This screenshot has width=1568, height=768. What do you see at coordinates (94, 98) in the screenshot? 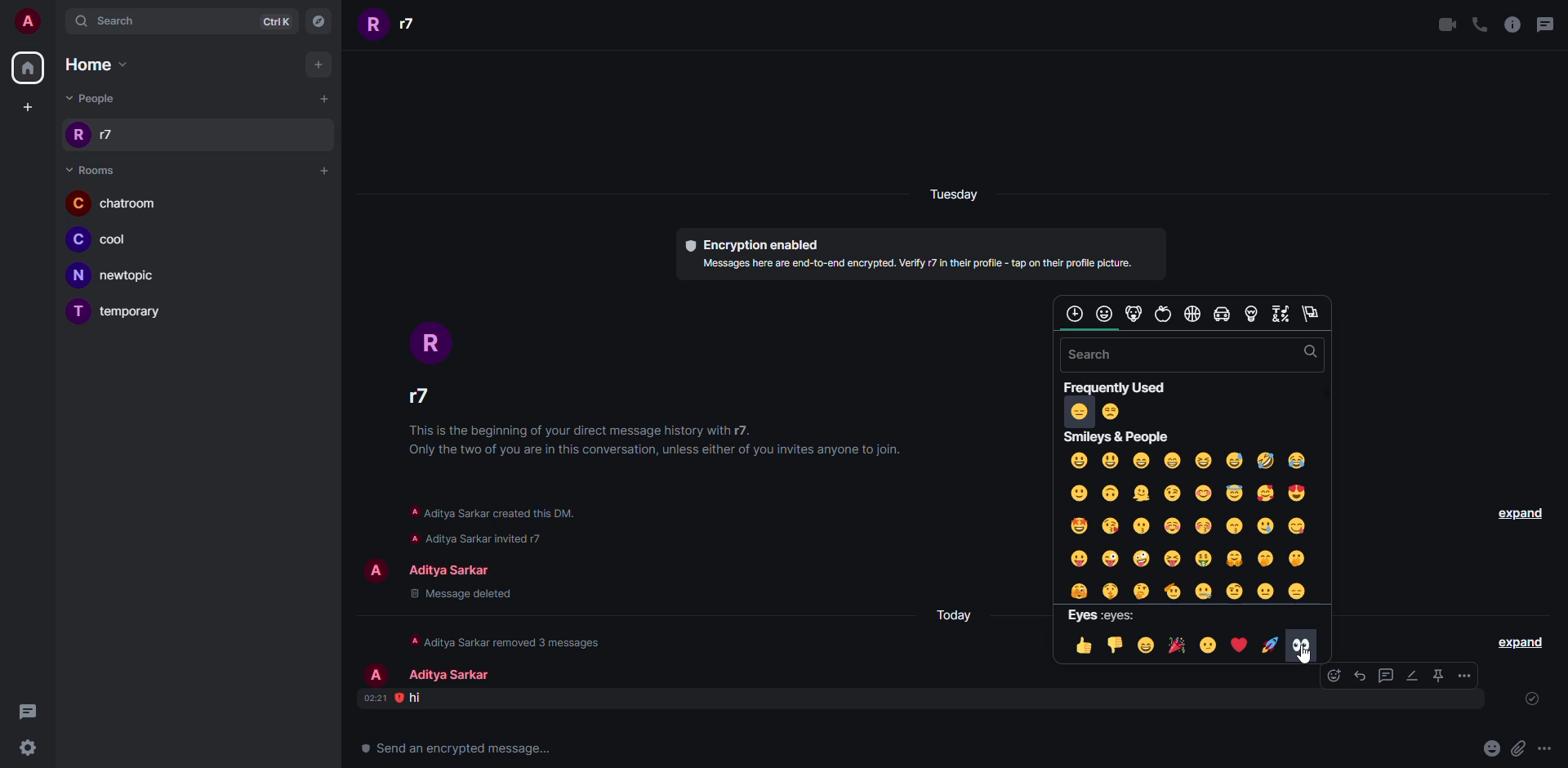
I see `people` at bounding box center [94, 98].